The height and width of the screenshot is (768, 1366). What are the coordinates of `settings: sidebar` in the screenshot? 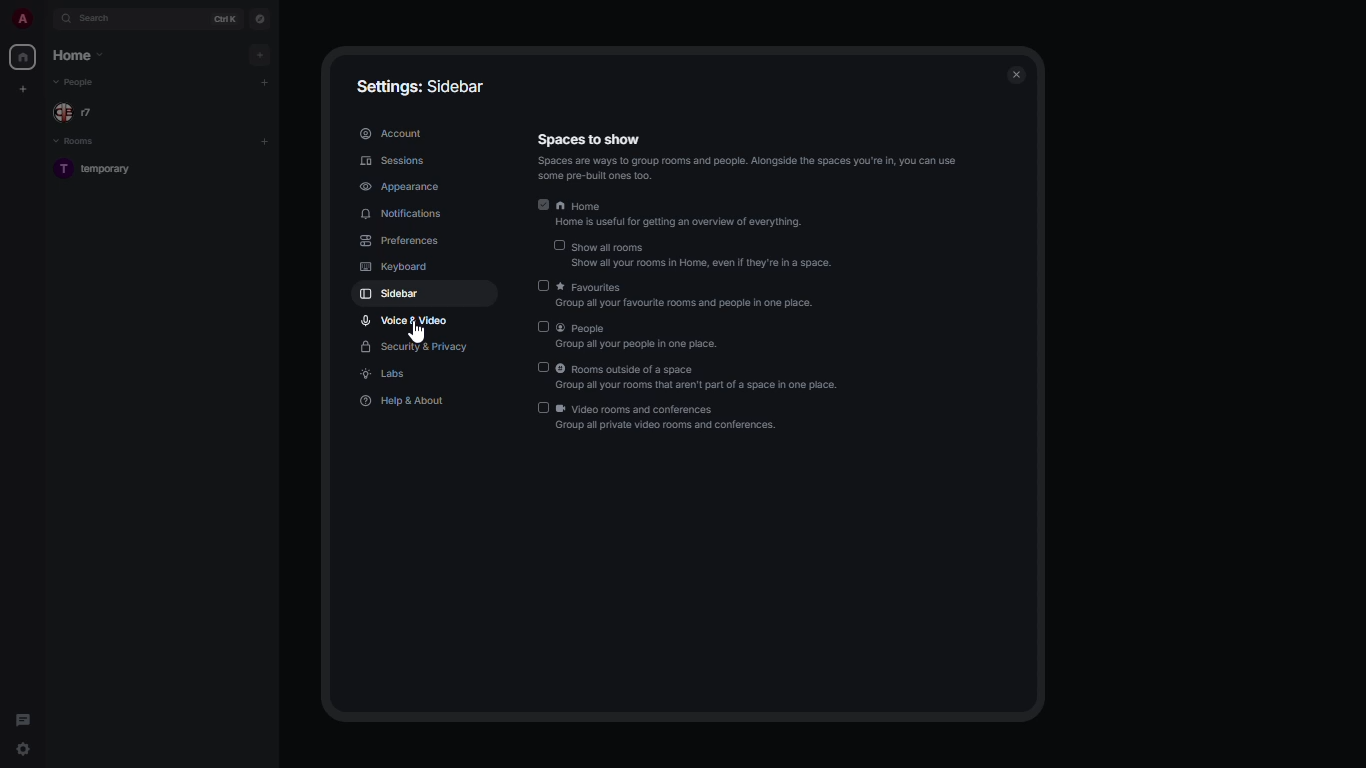 It's located at (419, 84).